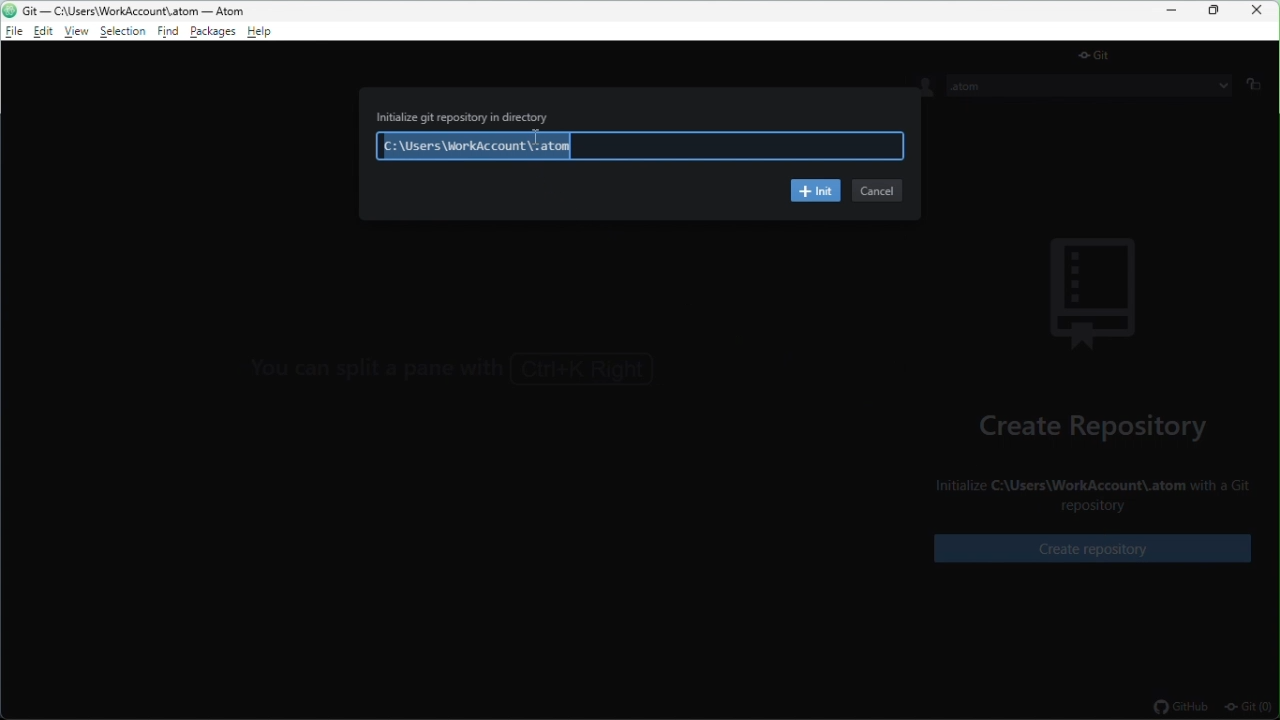 The width and height of the screenshot is (1280, 720). What do you see at coordinates (1087, 490) in the screenshot?
I see `Initialize C:\Users\WorkAccount\.atom with a Git repository` at bounding box center [1087, 490].